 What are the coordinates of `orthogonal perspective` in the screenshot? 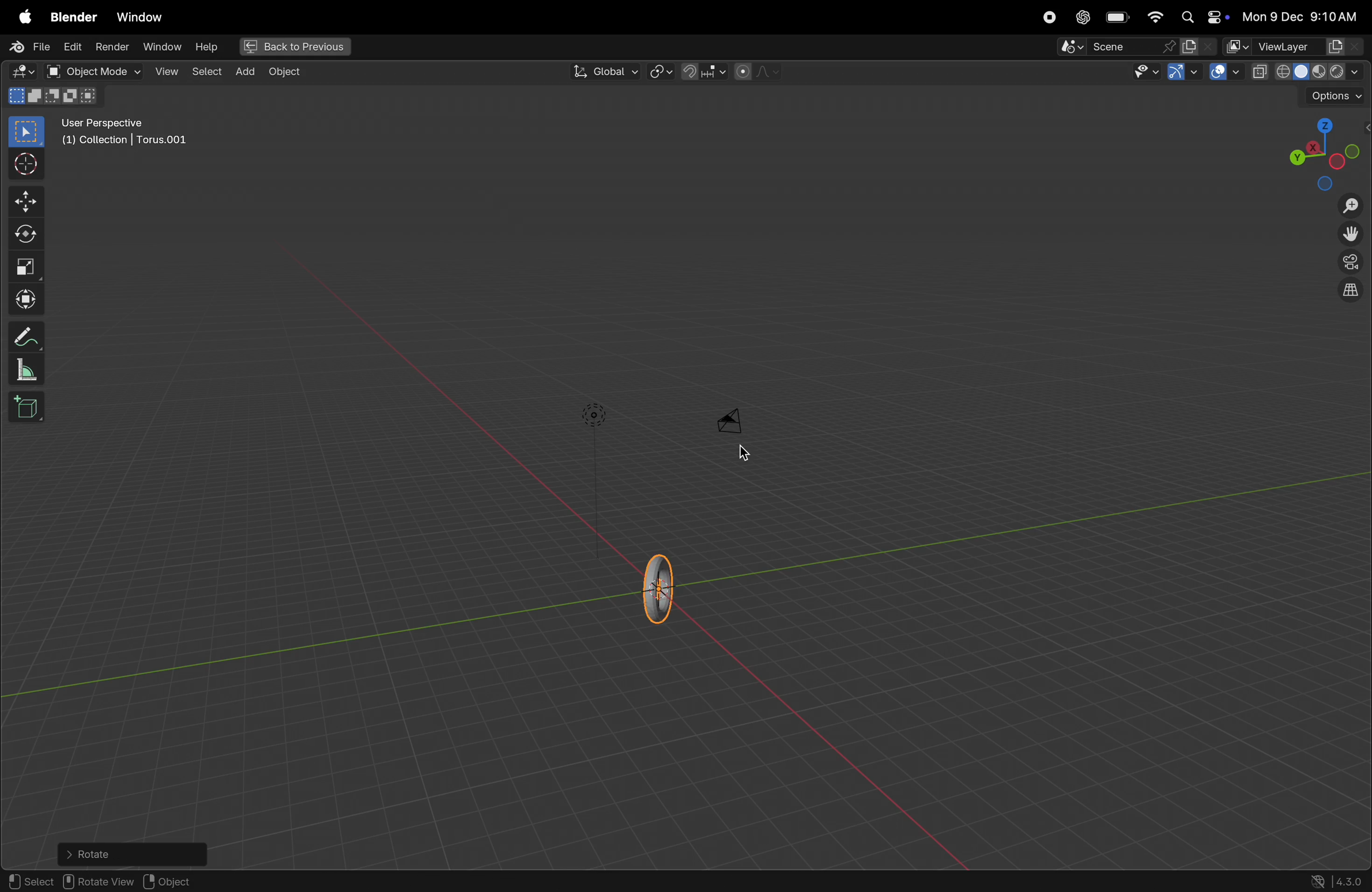 It's located at (1350, 292).